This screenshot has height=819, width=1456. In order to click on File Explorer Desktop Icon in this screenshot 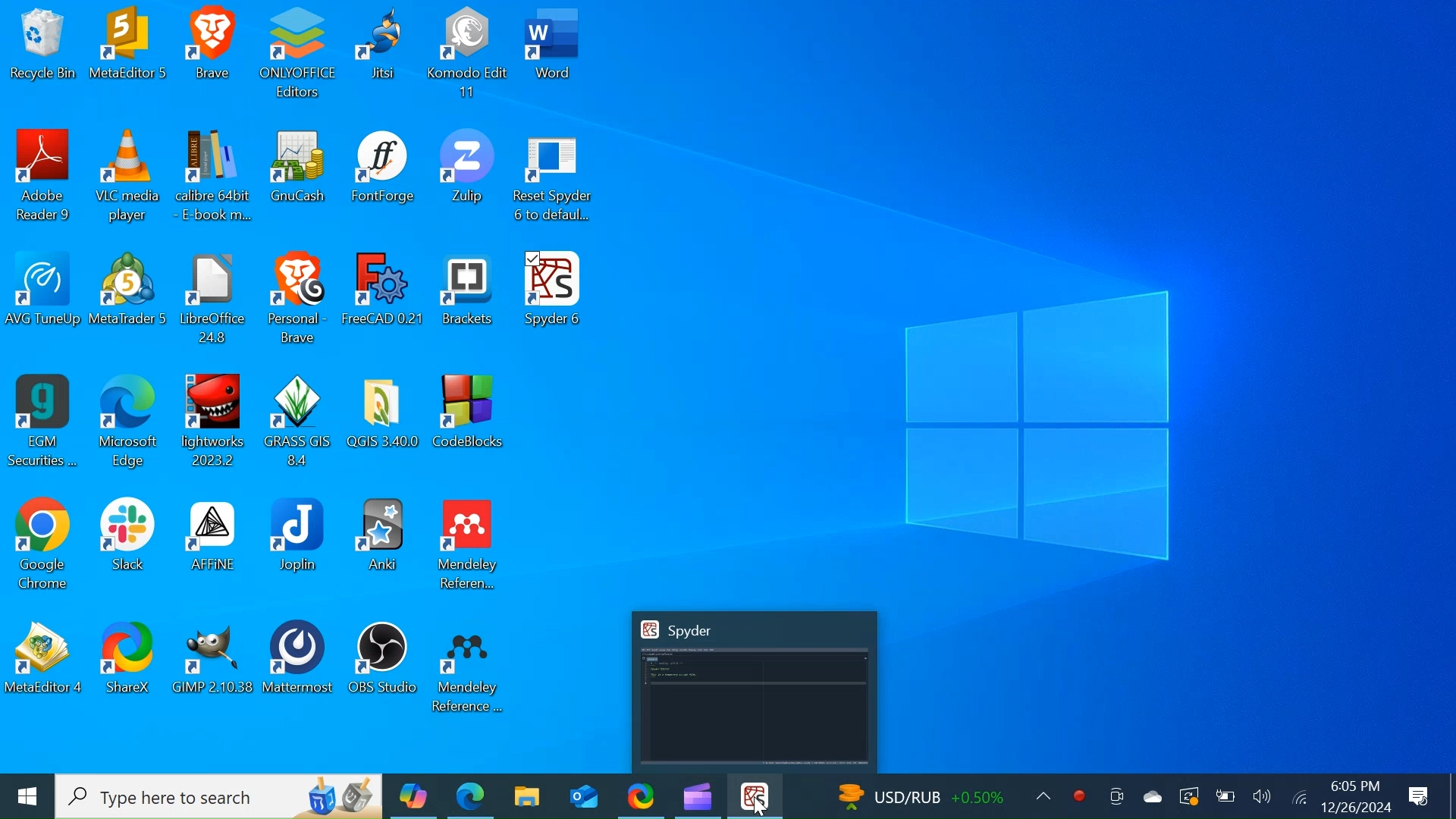, I will do `click(526, 795)`.